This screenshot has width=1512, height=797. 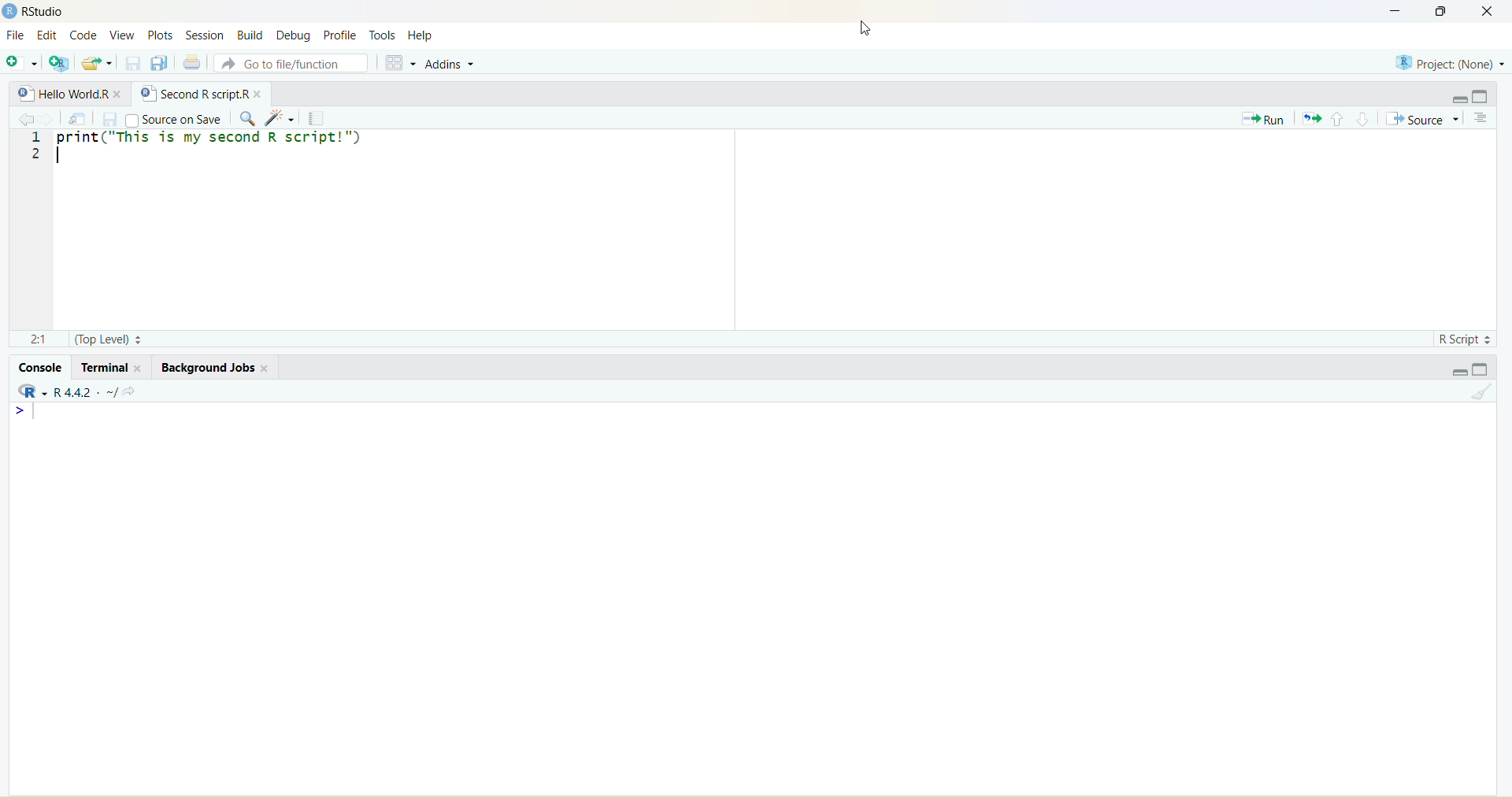 I want to click on Minimize, so click(x=1459, y=373).